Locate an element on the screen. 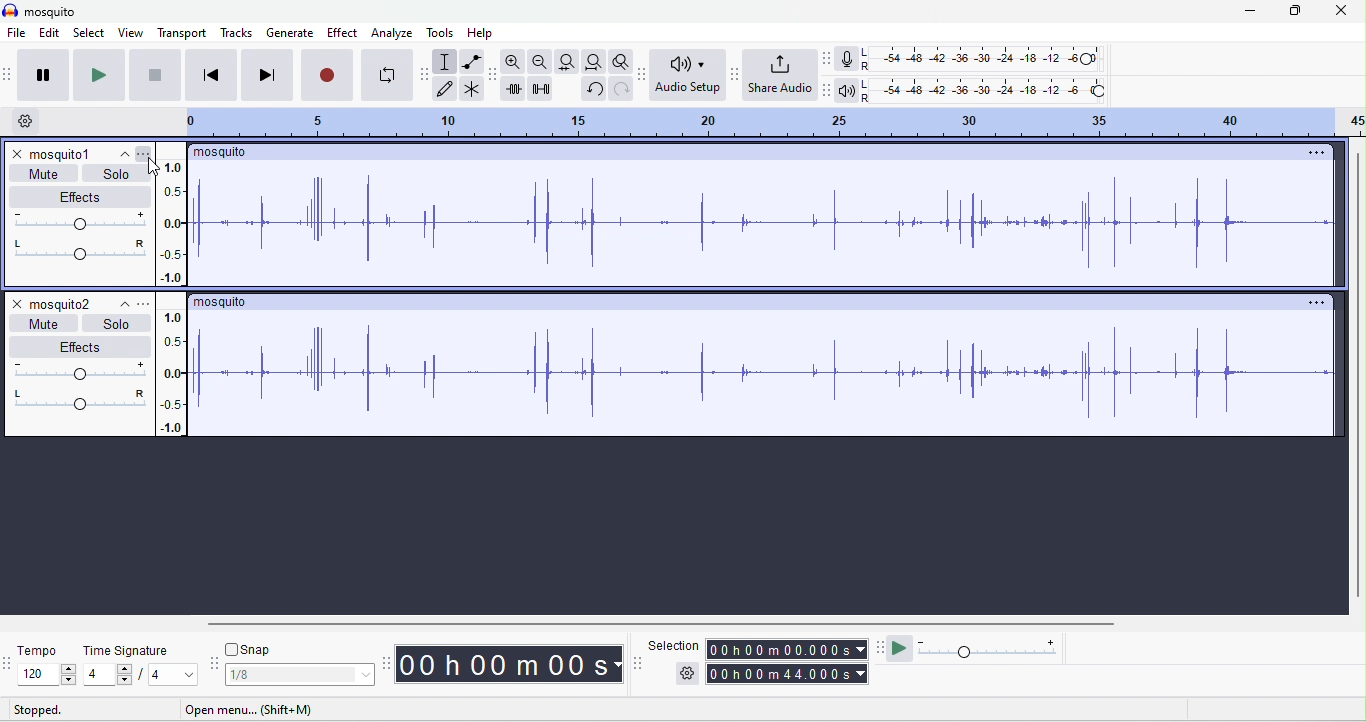  effect is located at coordinates (342, 34).